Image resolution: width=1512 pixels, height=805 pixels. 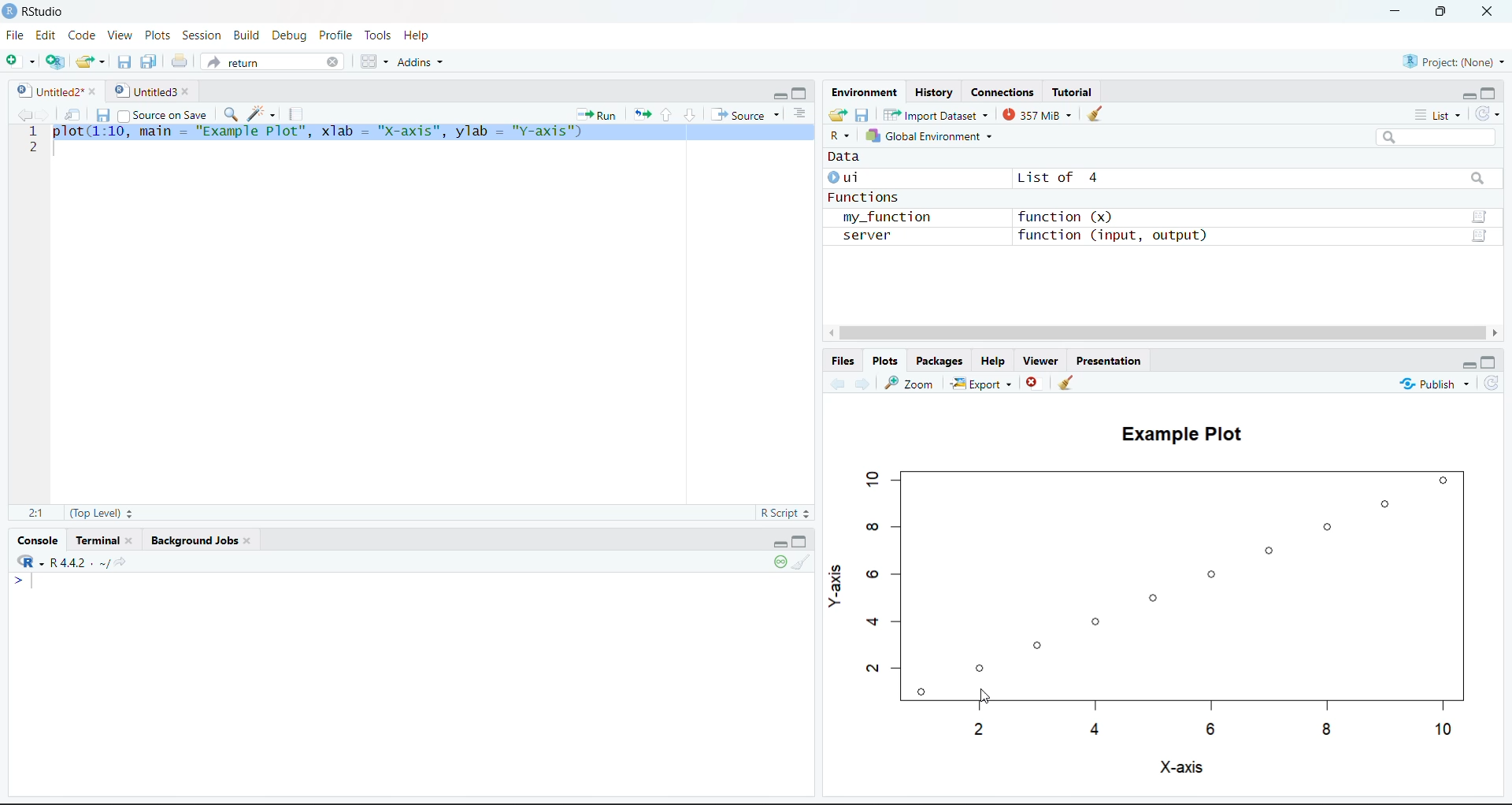 What do you see at coordinates (933, 135) in the screenshot?
I see `Global Environment` at bounding box center [933, 135].